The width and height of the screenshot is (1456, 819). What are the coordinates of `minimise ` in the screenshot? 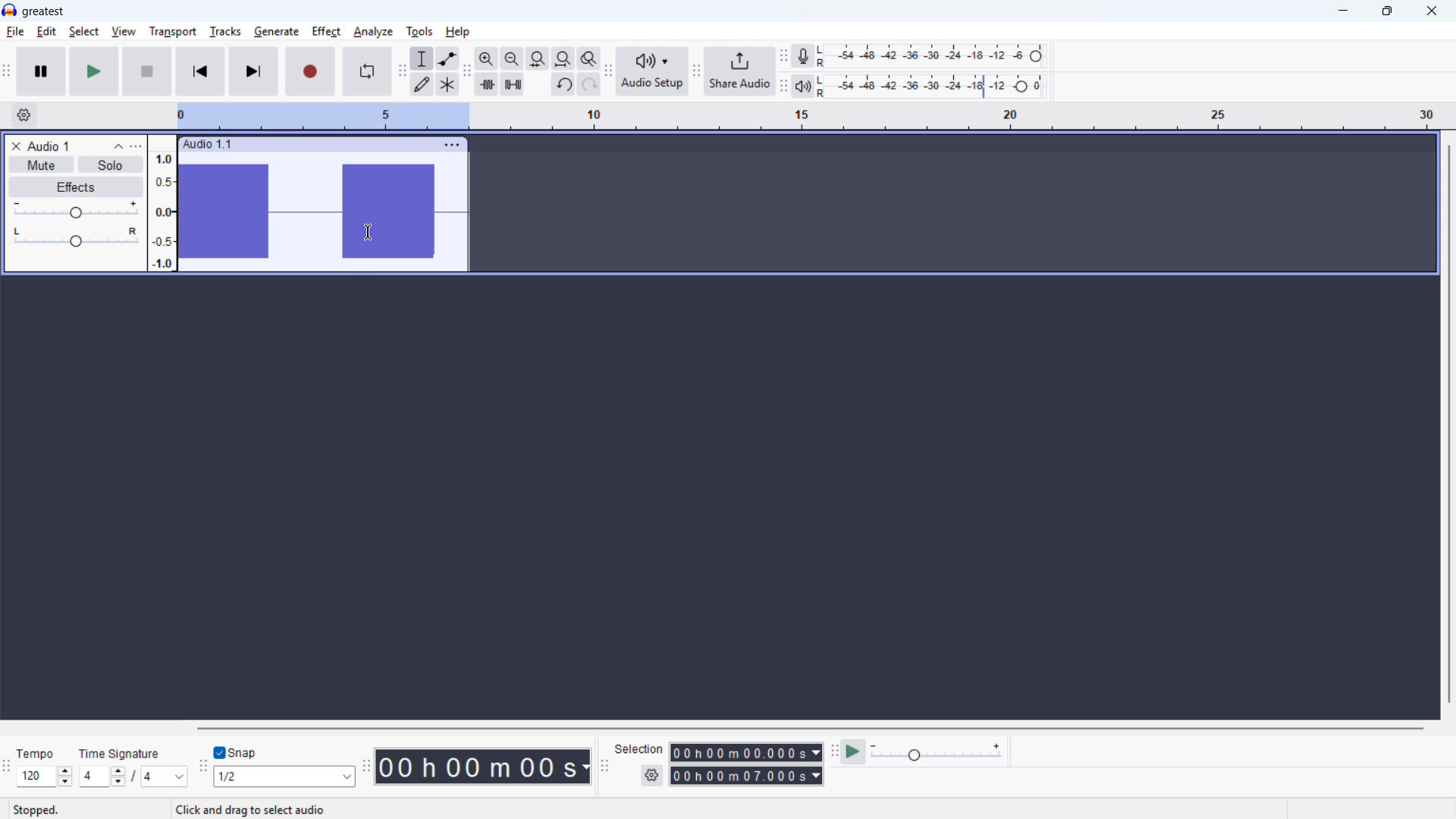 It's located at (1345, 11).